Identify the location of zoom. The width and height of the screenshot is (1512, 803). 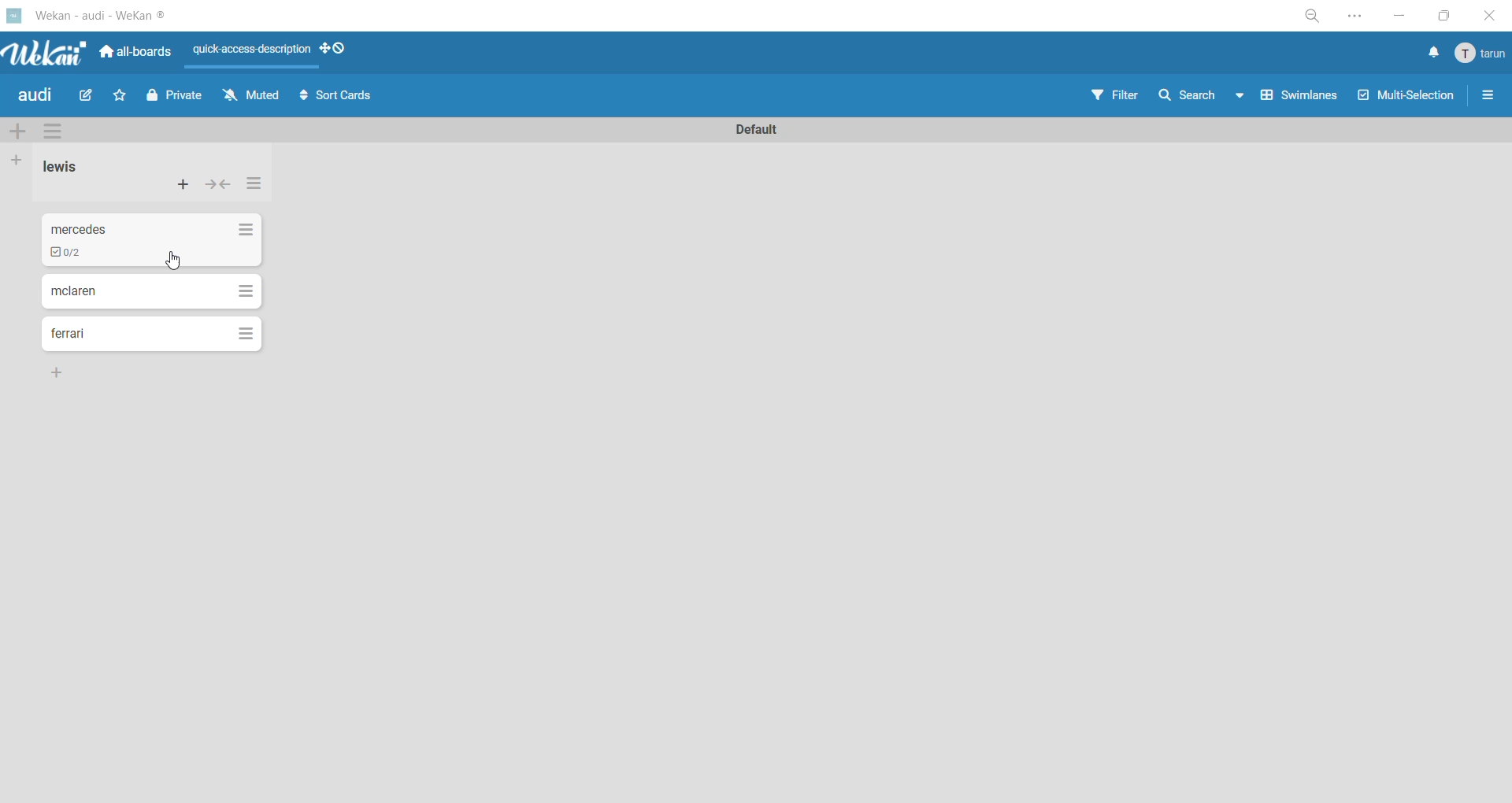
(1314, 17).